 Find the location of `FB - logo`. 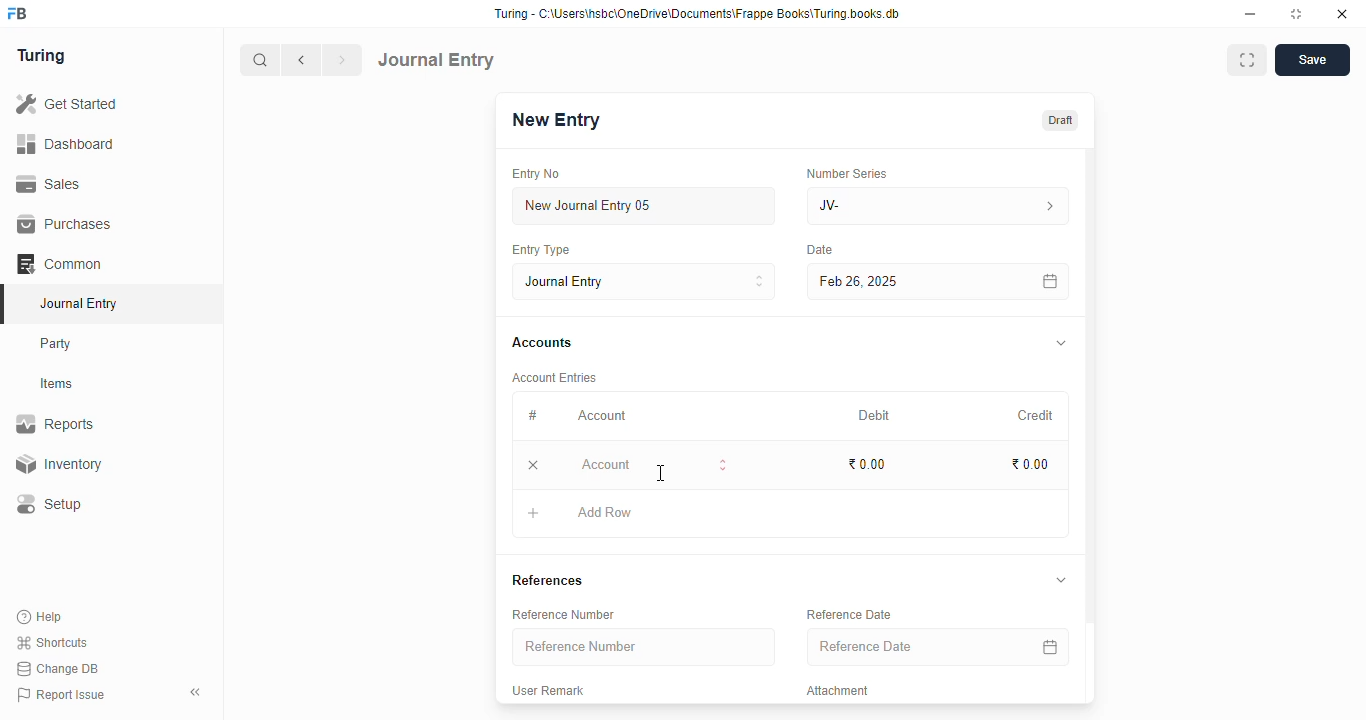

FB - logo is located at coordinates (17, 13).